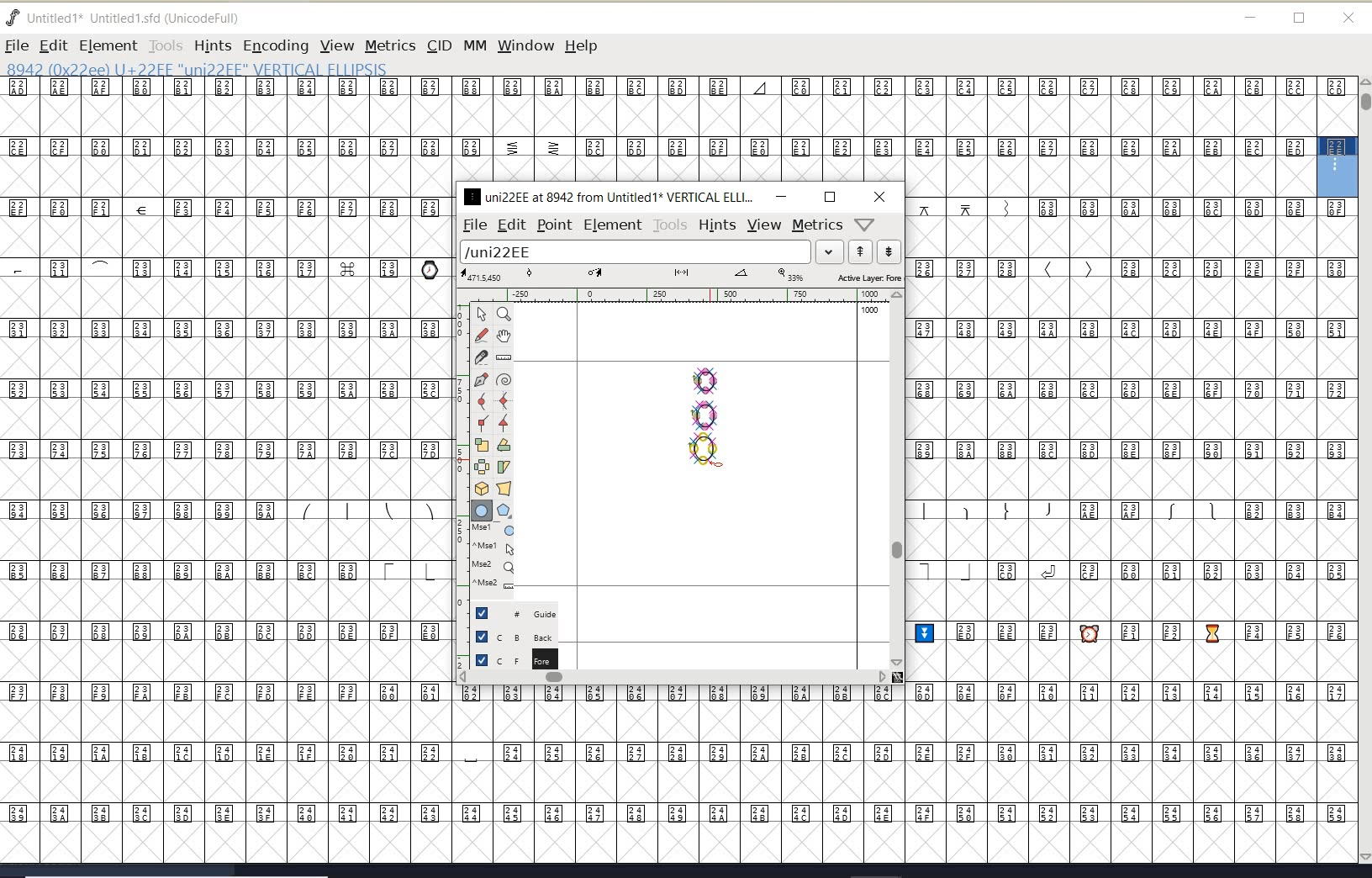  Describe the element at coordinates (880, 197) in the screenshot. I see `close` at that location.